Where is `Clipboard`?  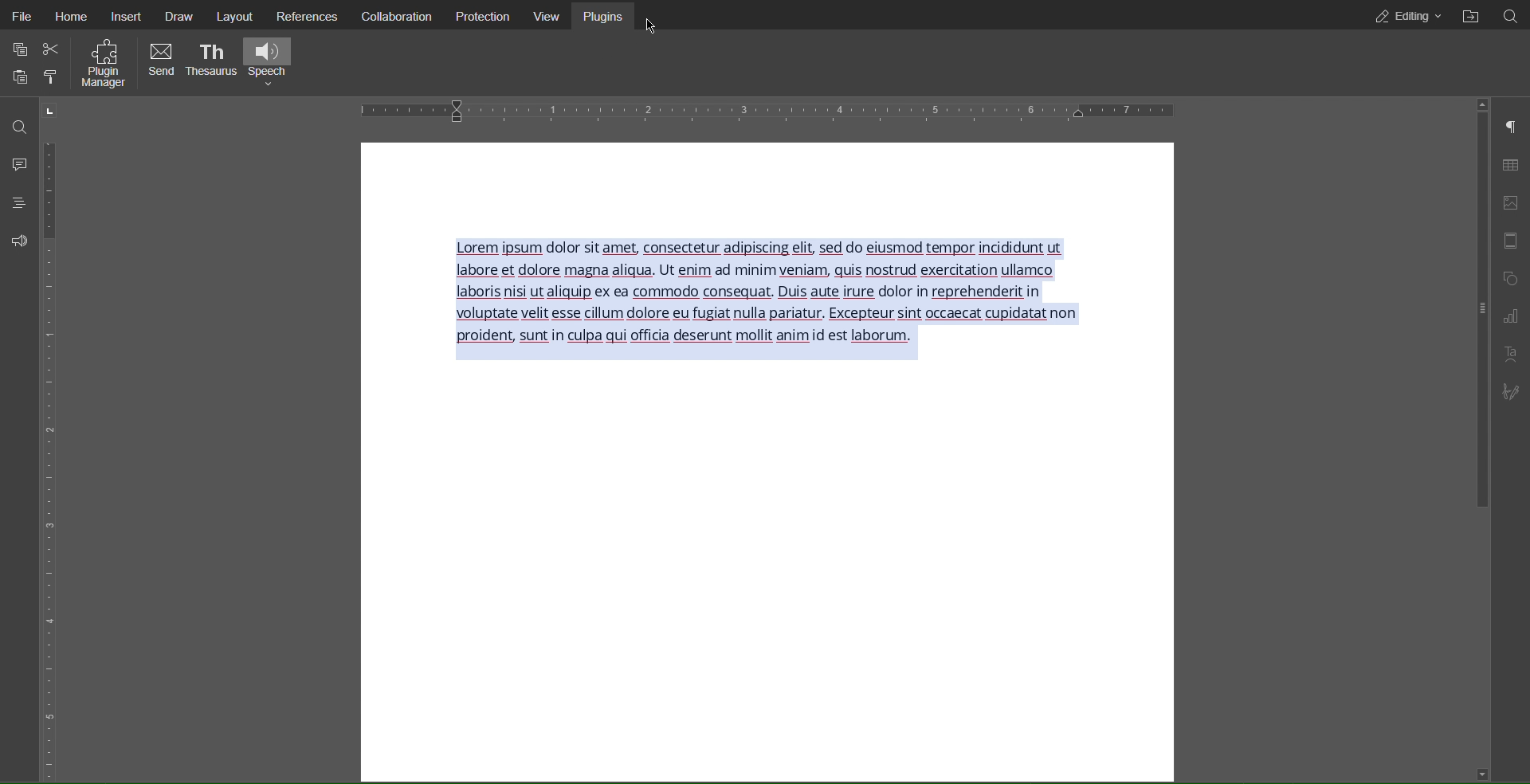 Clipboard is located at coordinates (18, 78).